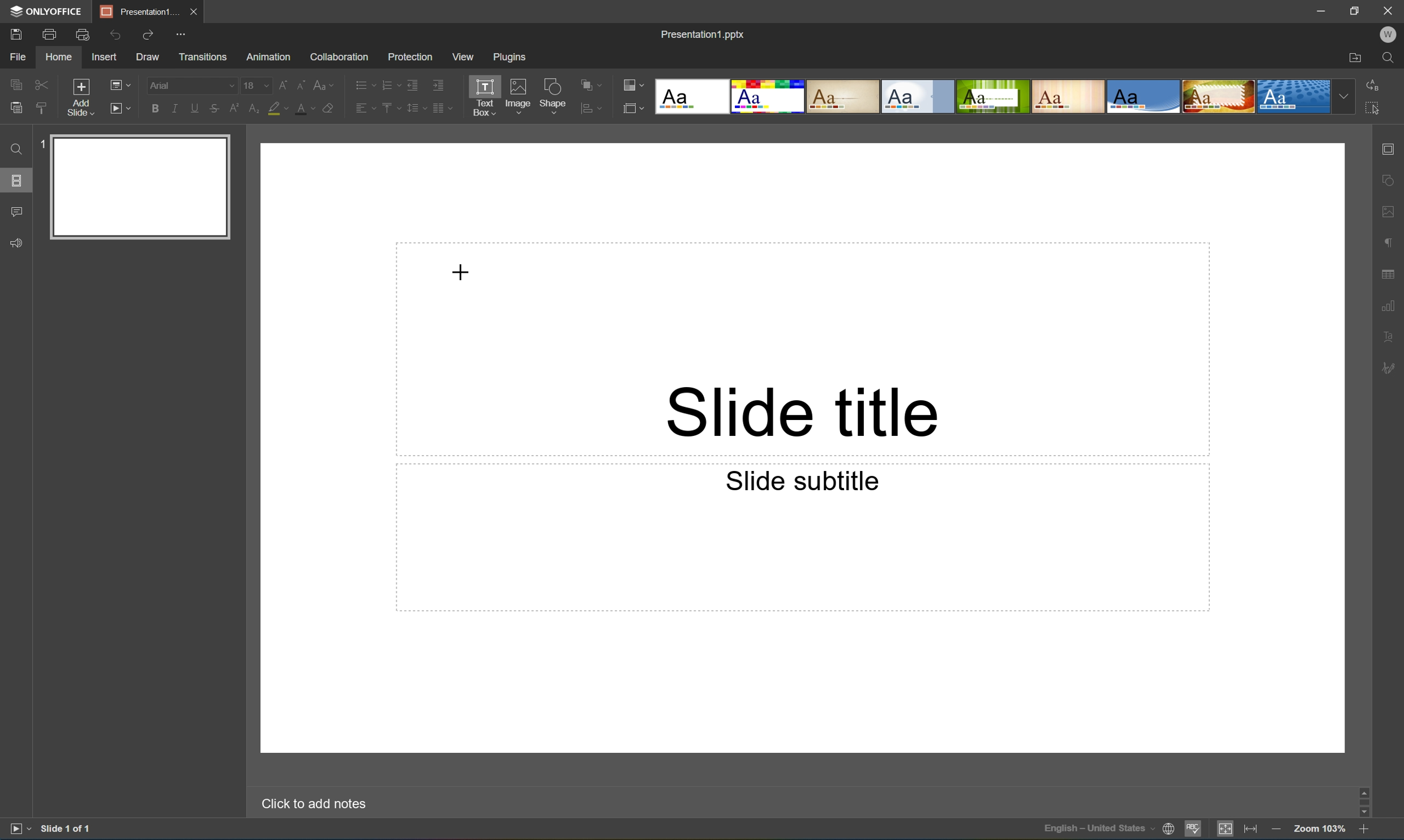 The width and height of the screenshot is (1404, 840). Describe the element at coordinates (136, 11) in the screenshot. I see `Presentation1...` at that location.